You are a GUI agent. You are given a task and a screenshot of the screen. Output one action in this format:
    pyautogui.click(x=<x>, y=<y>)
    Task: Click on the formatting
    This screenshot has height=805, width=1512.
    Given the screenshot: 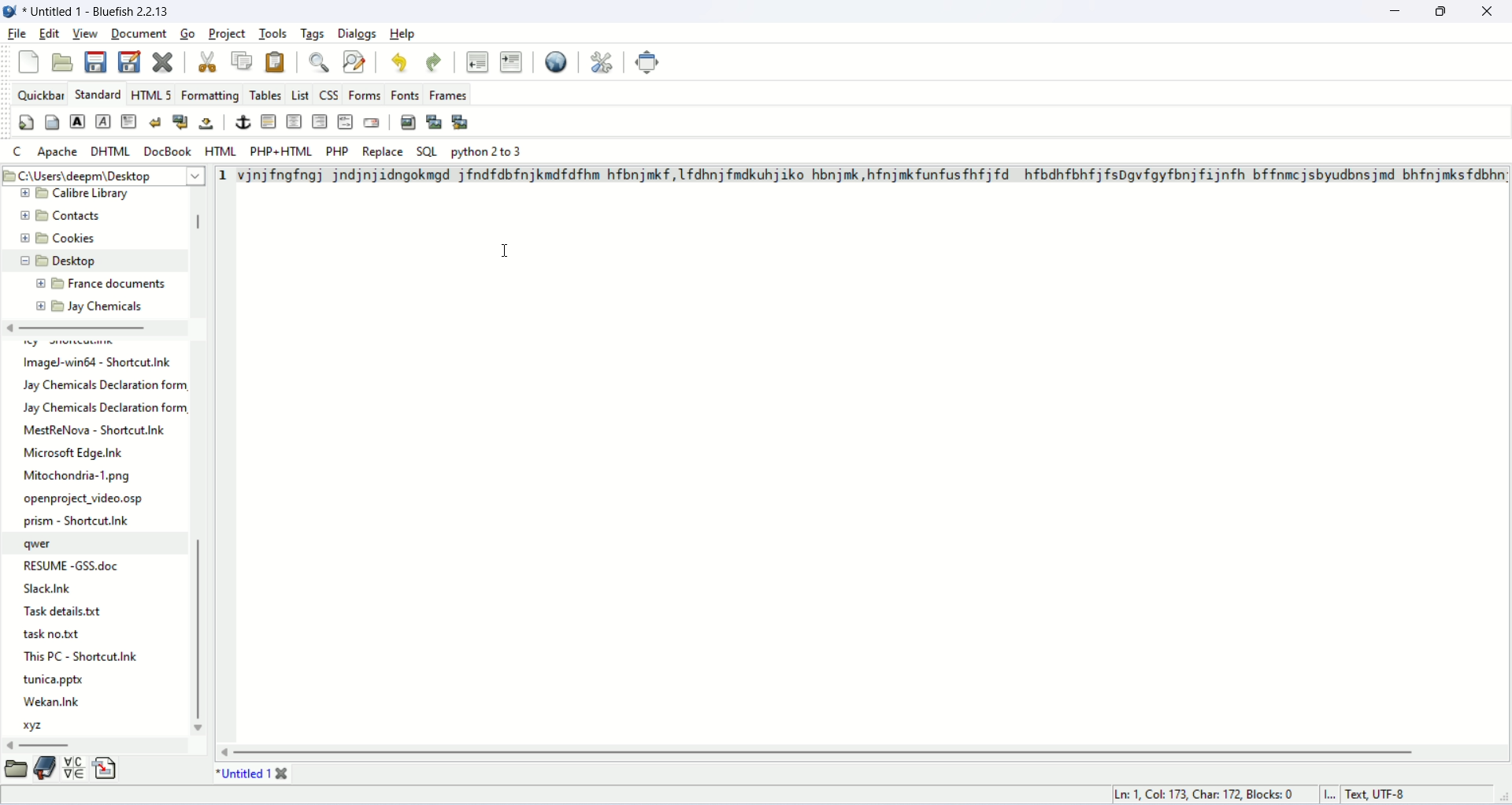 What is the action you would take?
    pyautogui.click(x=211, y=95)
    